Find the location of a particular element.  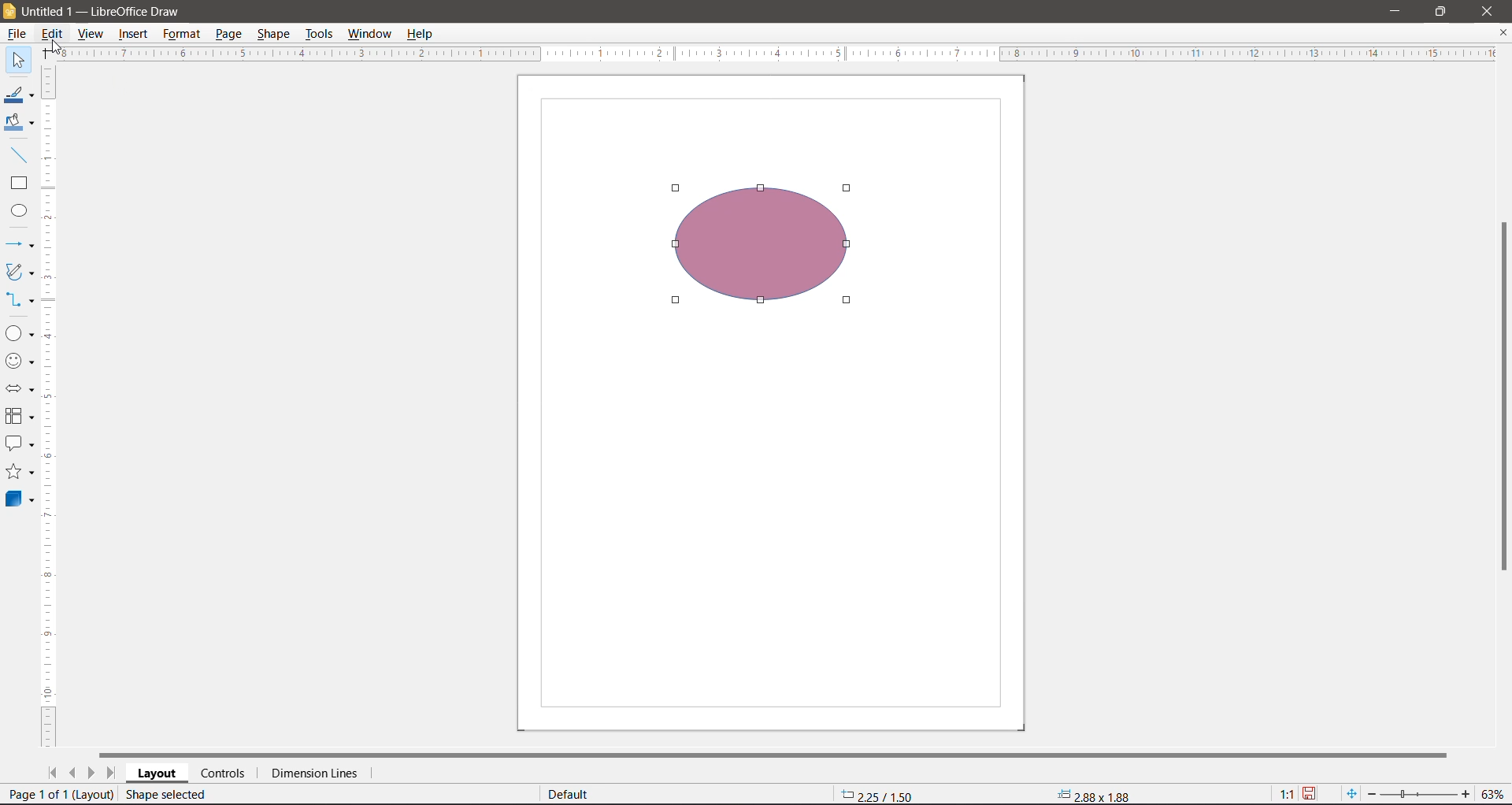

Rectangle is located at coordinates (19, 184).